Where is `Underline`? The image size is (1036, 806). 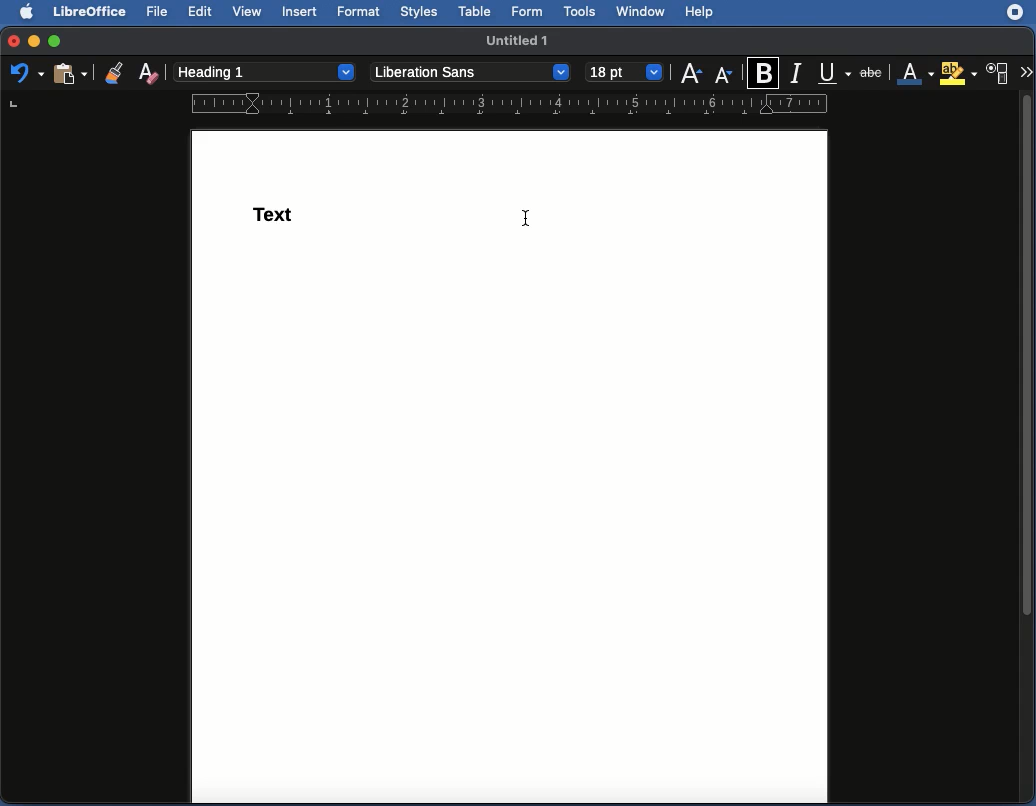 Underline is located at coordinates (836, 73).